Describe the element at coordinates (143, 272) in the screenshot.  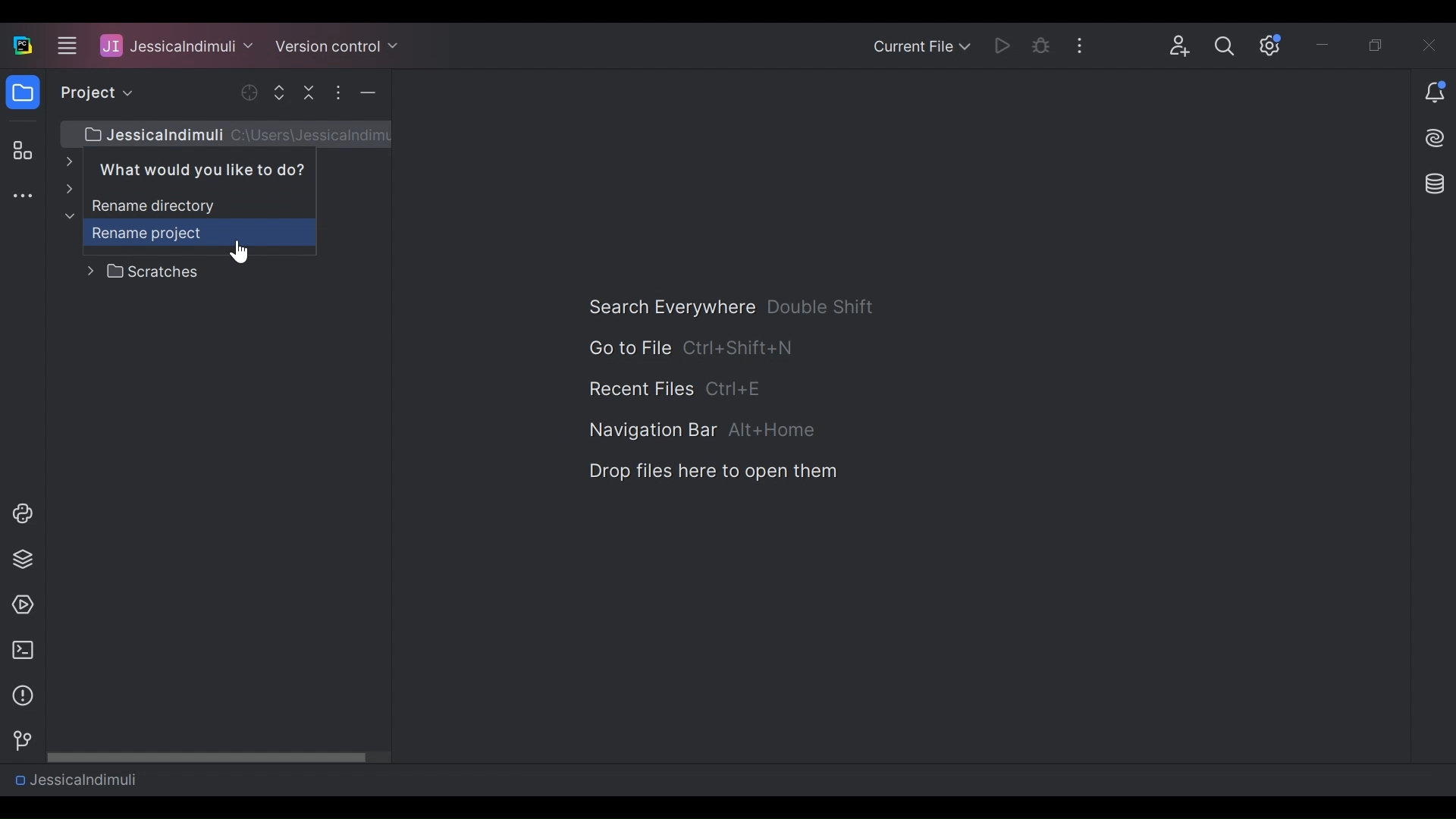
I see `Scratches` at that location.